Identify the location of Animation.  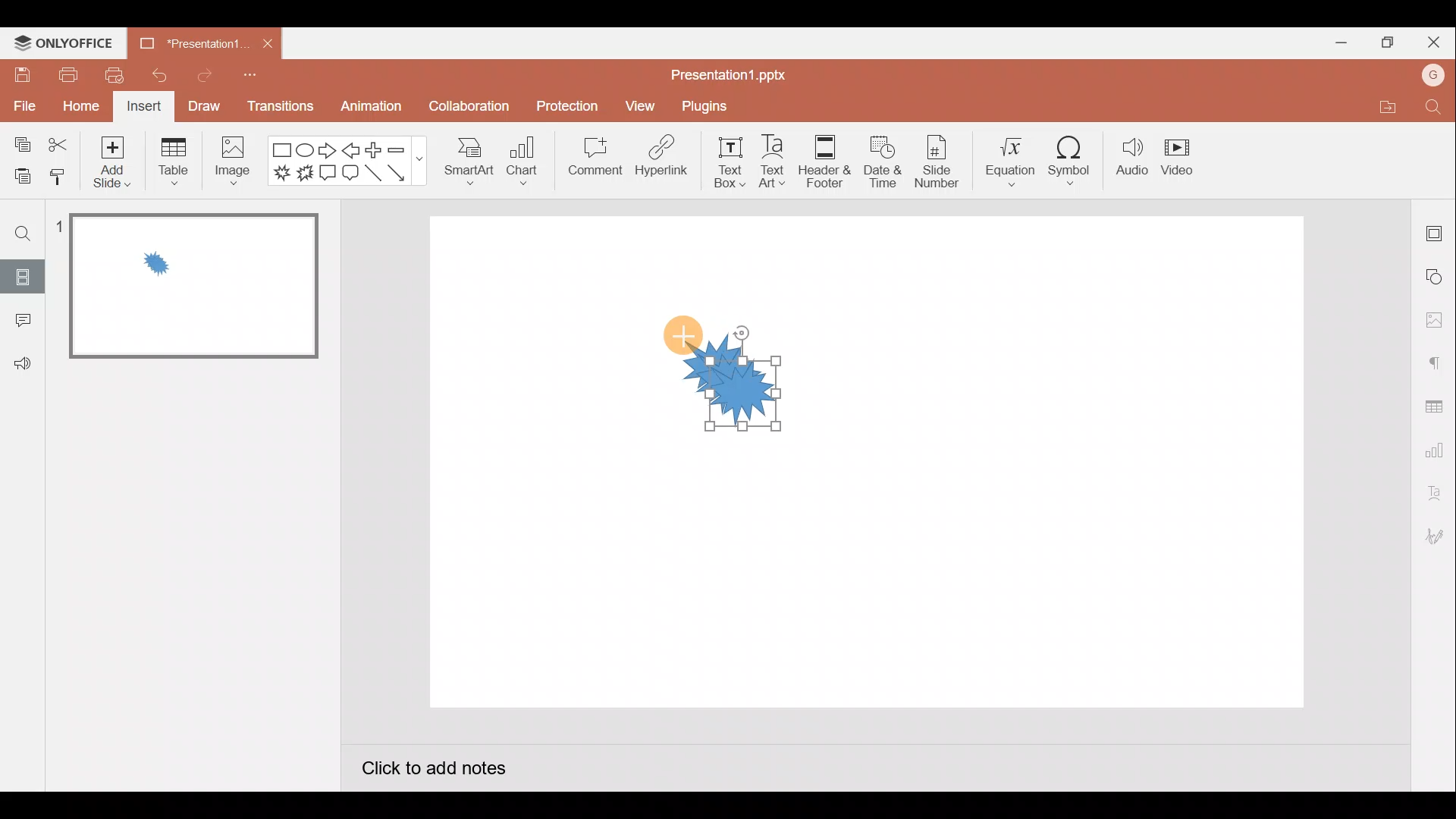
(368, 109).